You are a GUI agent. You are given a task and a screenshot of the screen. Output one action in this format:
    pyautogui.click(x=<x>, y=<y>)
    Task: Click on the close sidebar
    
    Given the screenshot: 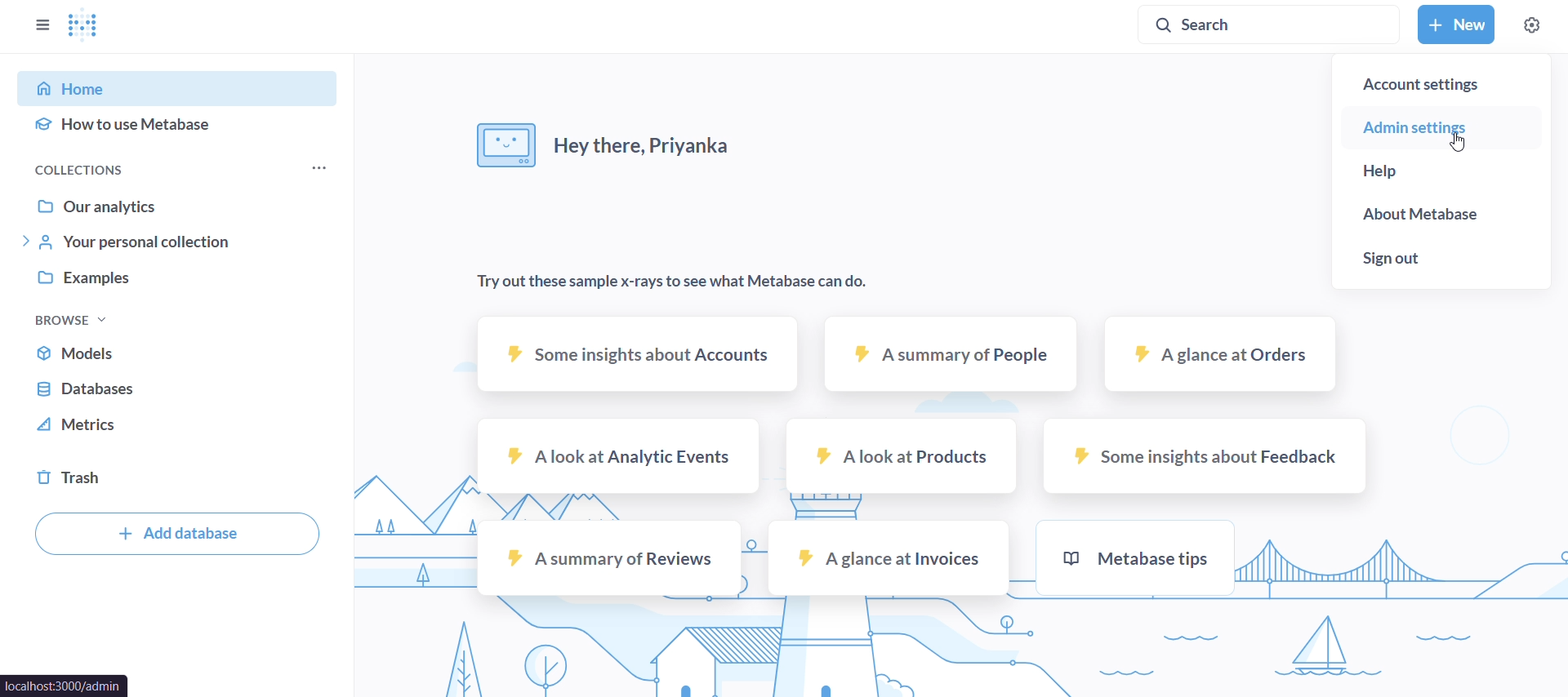 What is the action you would take?
    pyautogui.click(x=42, y=24)
    